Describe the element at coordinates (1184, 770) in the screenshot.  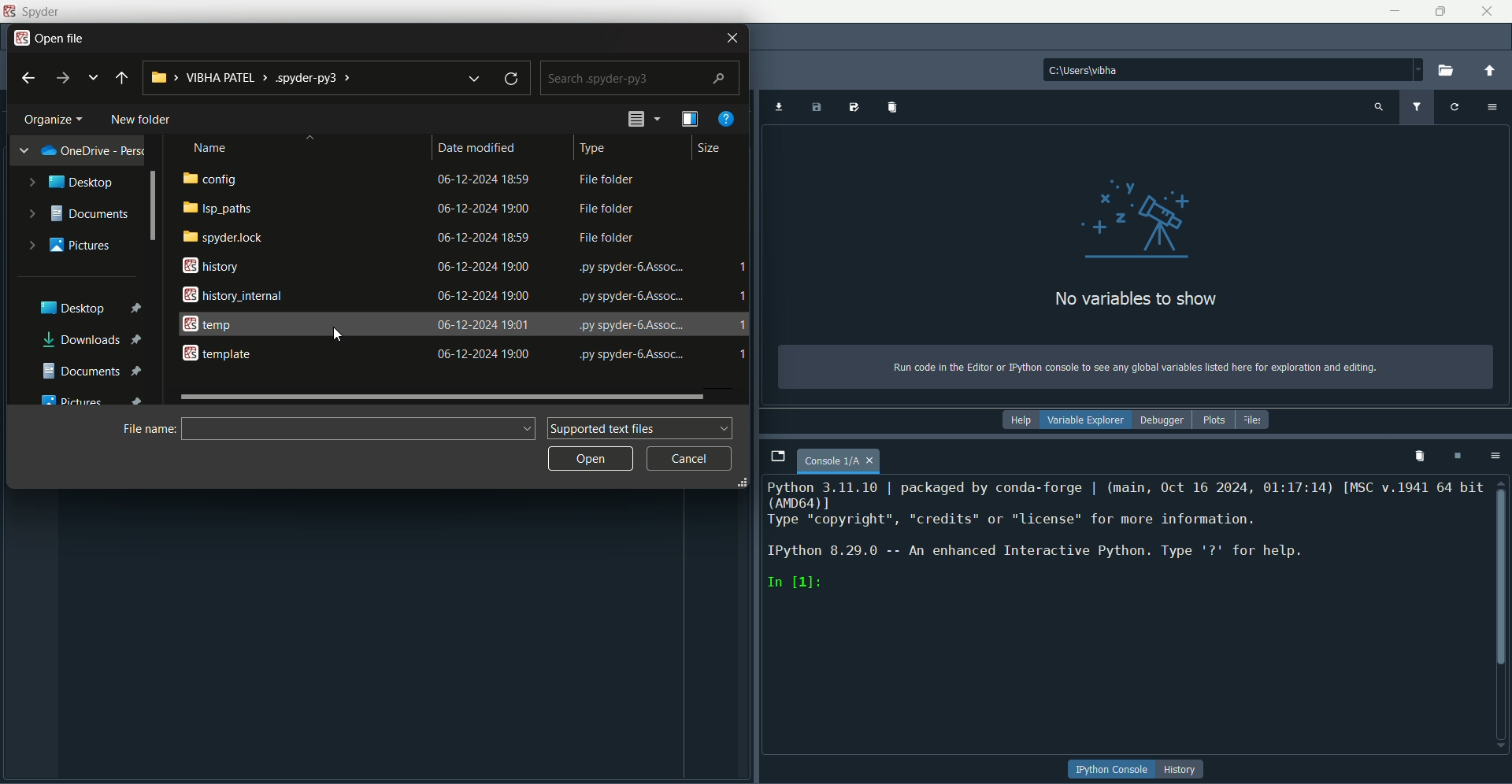
I see `history` at that location.